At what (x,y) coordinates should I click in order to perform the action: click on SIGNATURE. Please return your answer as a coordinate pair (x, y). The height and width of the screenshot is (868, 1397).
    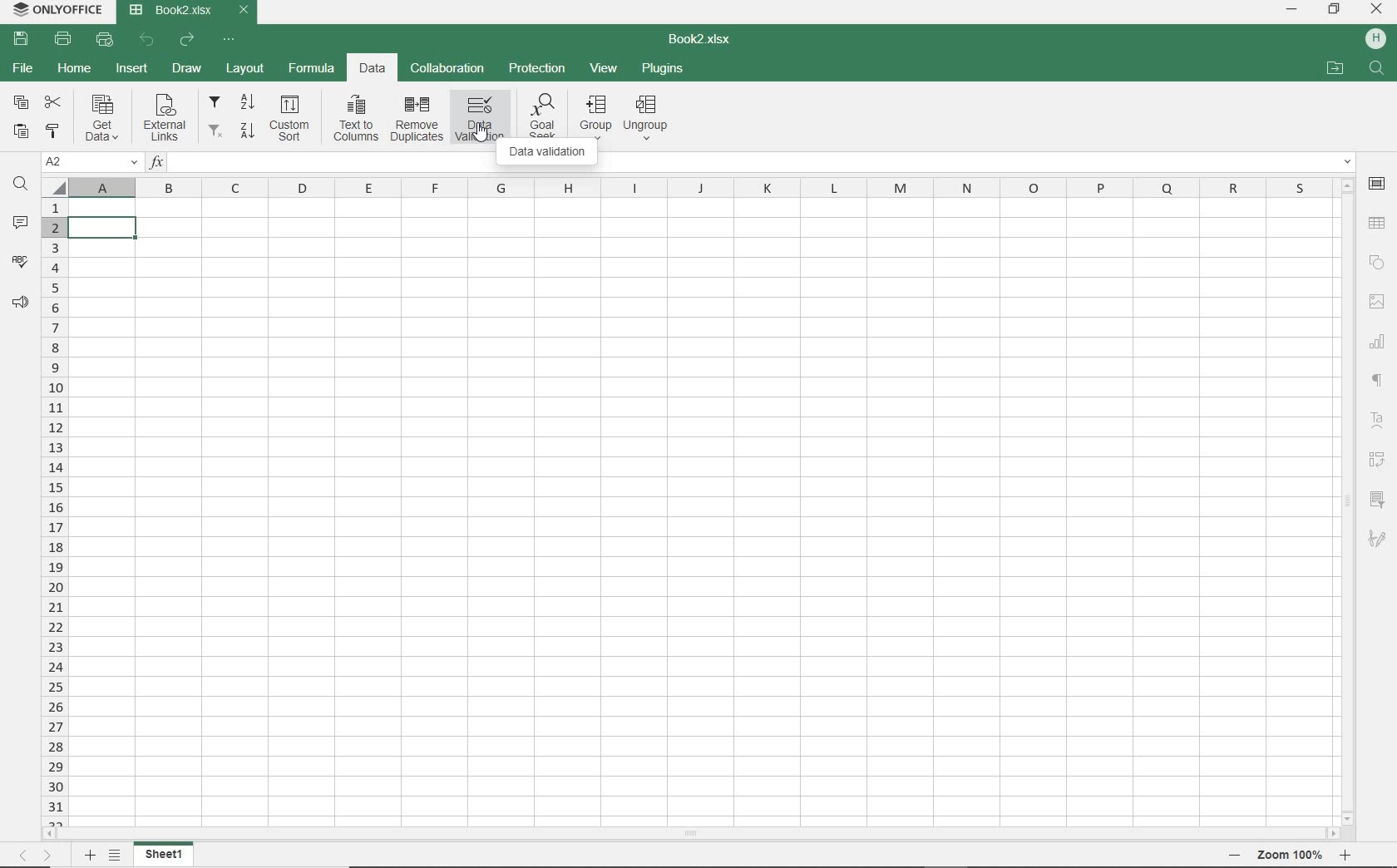
    Looking at the image, I should click on (1376, 538).